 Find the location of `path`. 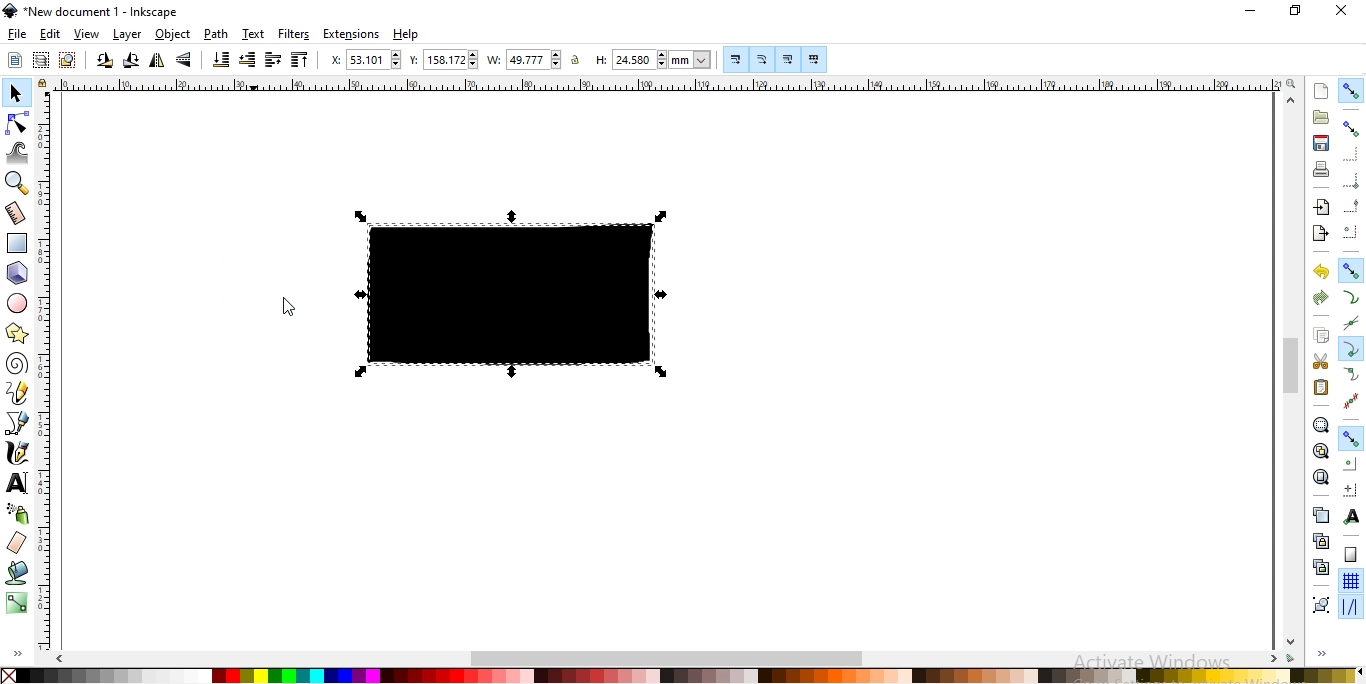

path is located at coordinates (217, 31).